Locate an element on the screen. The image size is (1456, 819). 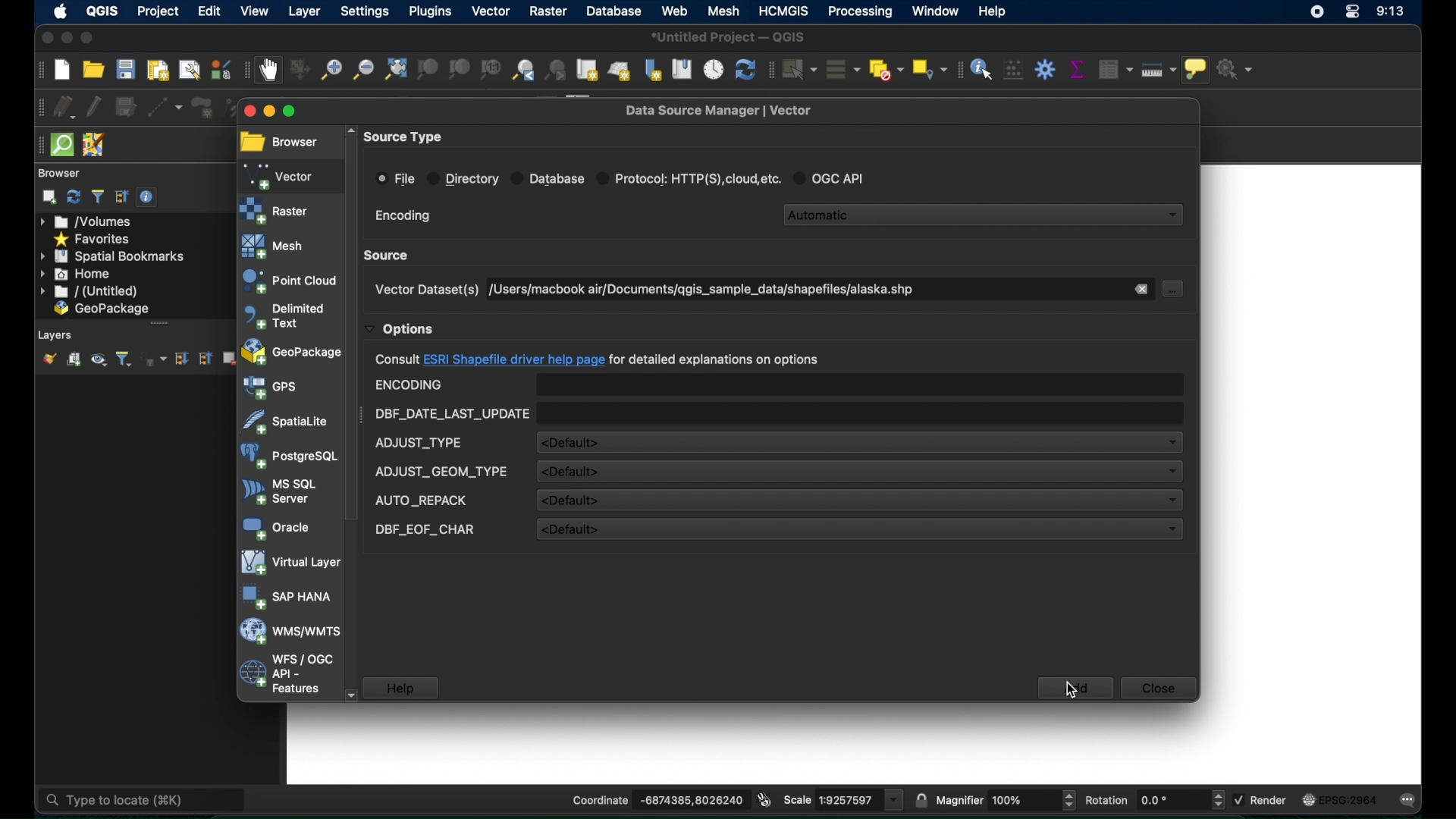
render is located at coordinates (1261, 799).